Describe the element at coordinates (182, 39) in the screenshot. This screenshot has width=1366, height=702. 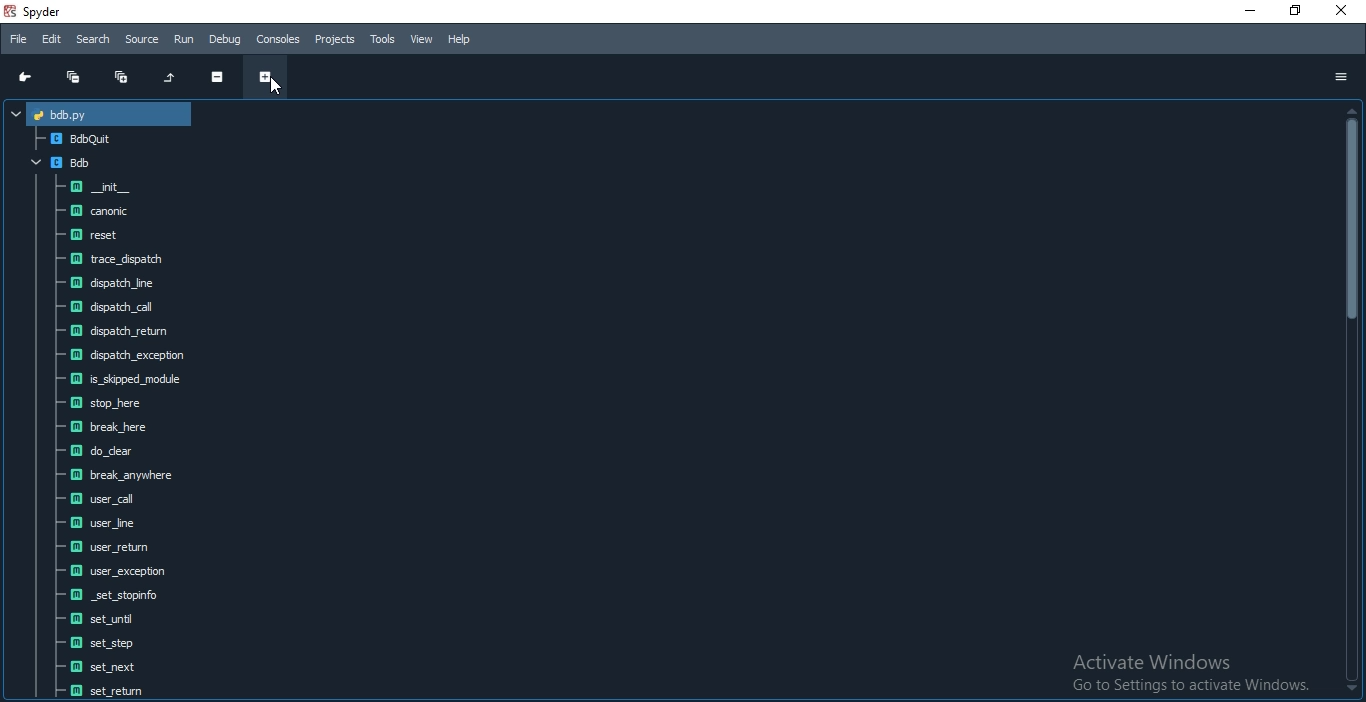
I see `Run` at that location.